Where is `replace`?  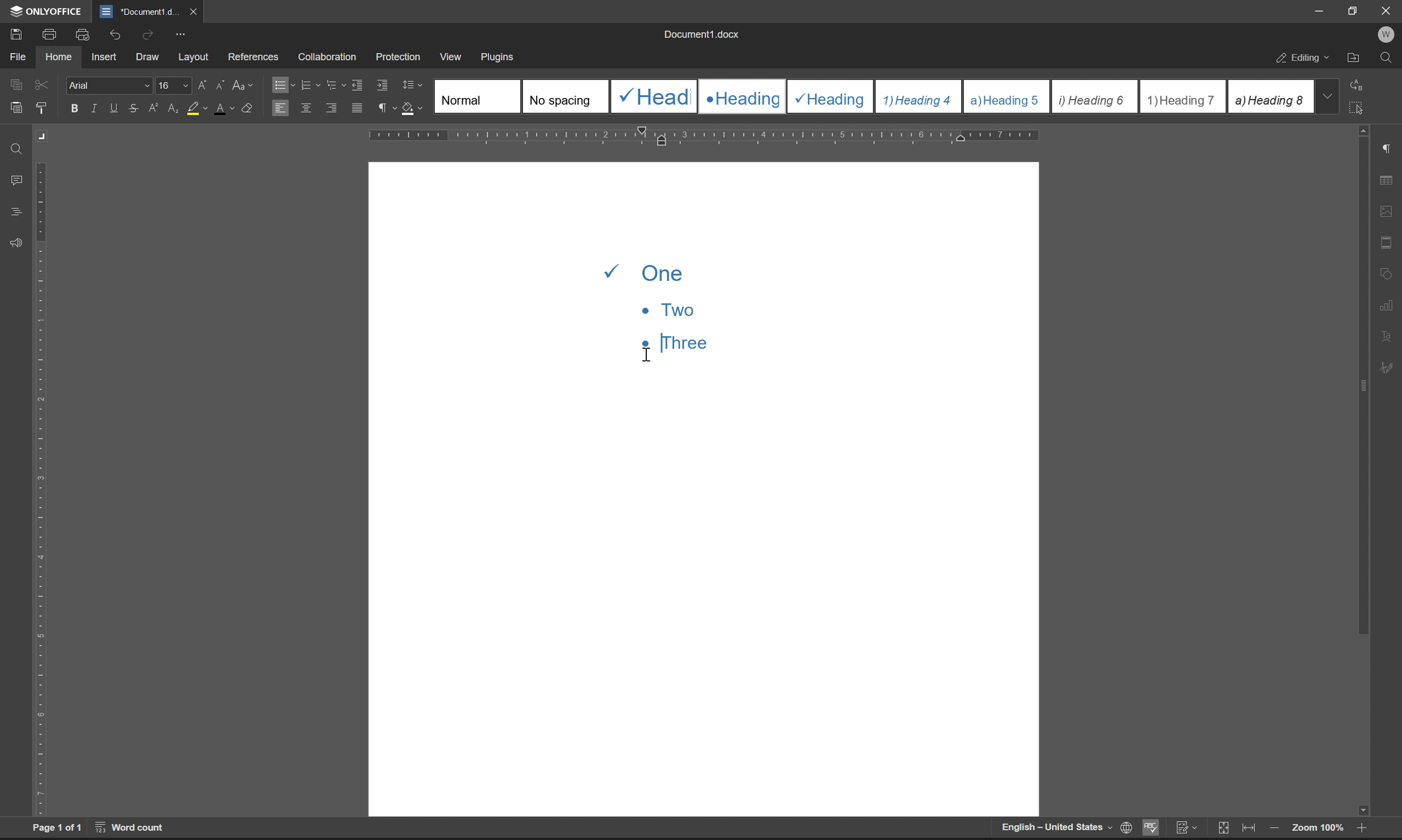 replace is located at coordinates (1360, 84).